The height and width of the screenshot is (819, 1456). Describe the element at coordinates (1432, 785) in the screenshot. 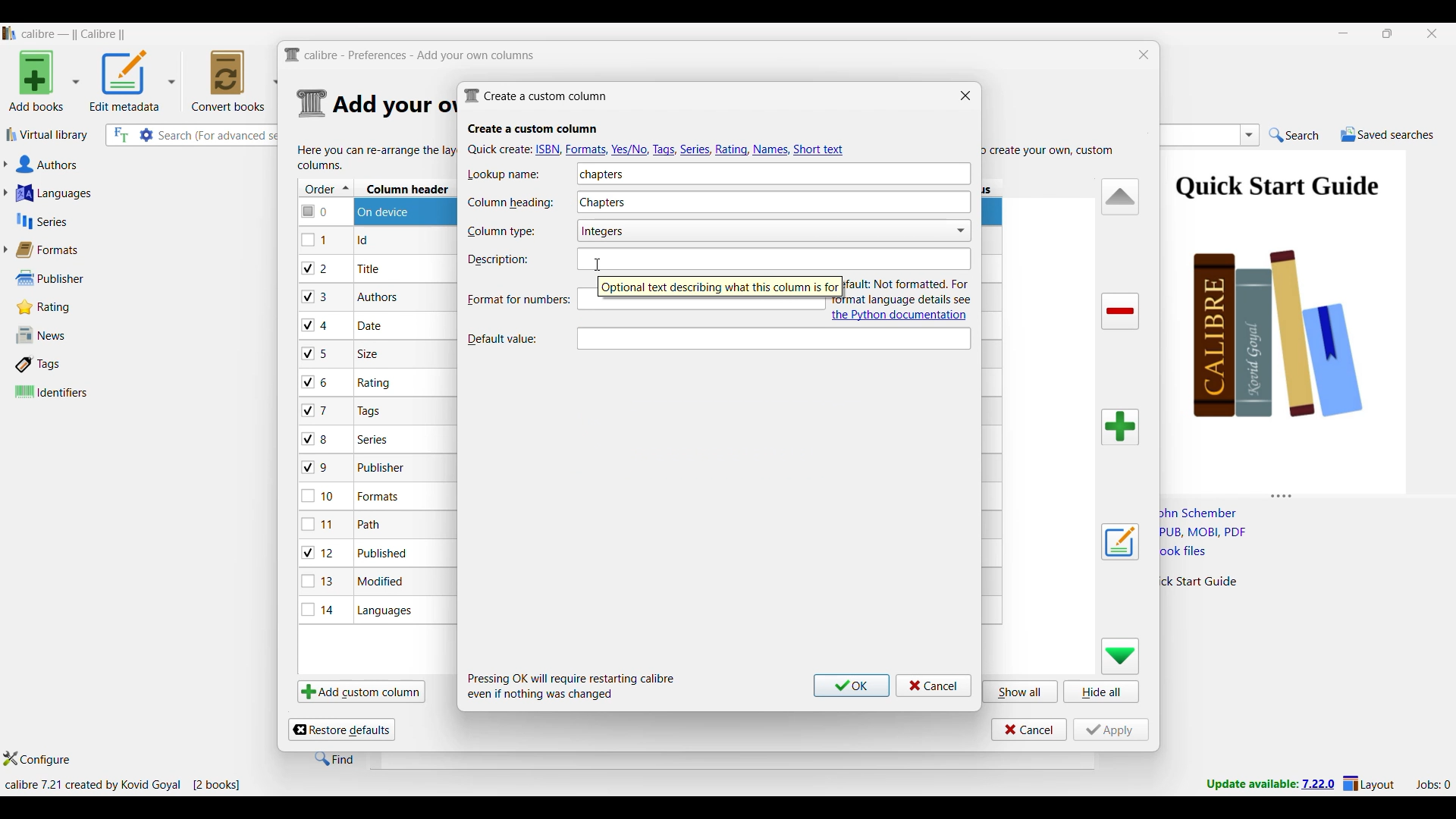

I see `Current jobs` at that location.